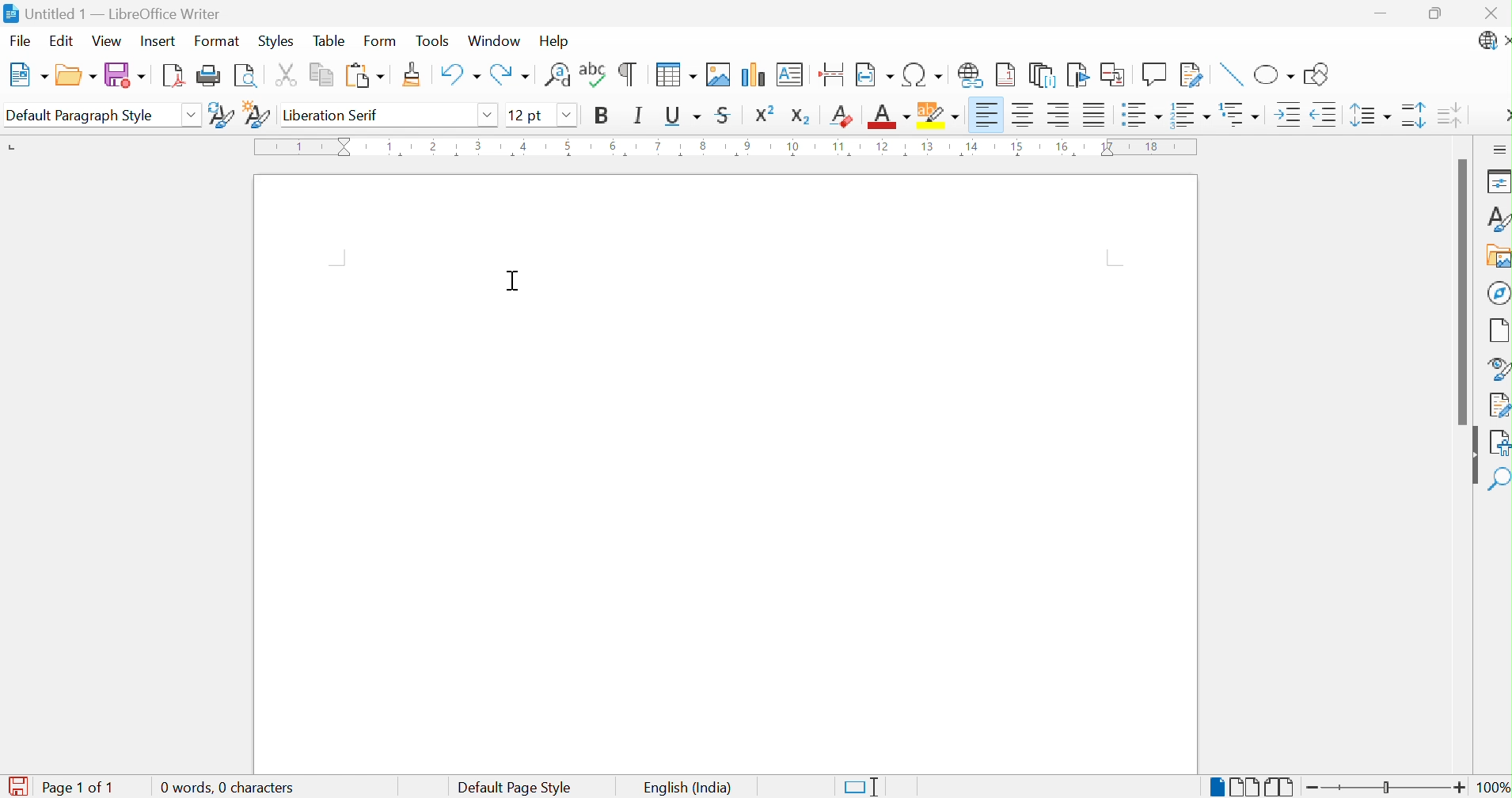 The height and width of the screenshot is (798, 1512). What do you see at coordinates (1457, 291) in the screenshot?
I see `Scroll Bar` at bounding box center [1457, 291].